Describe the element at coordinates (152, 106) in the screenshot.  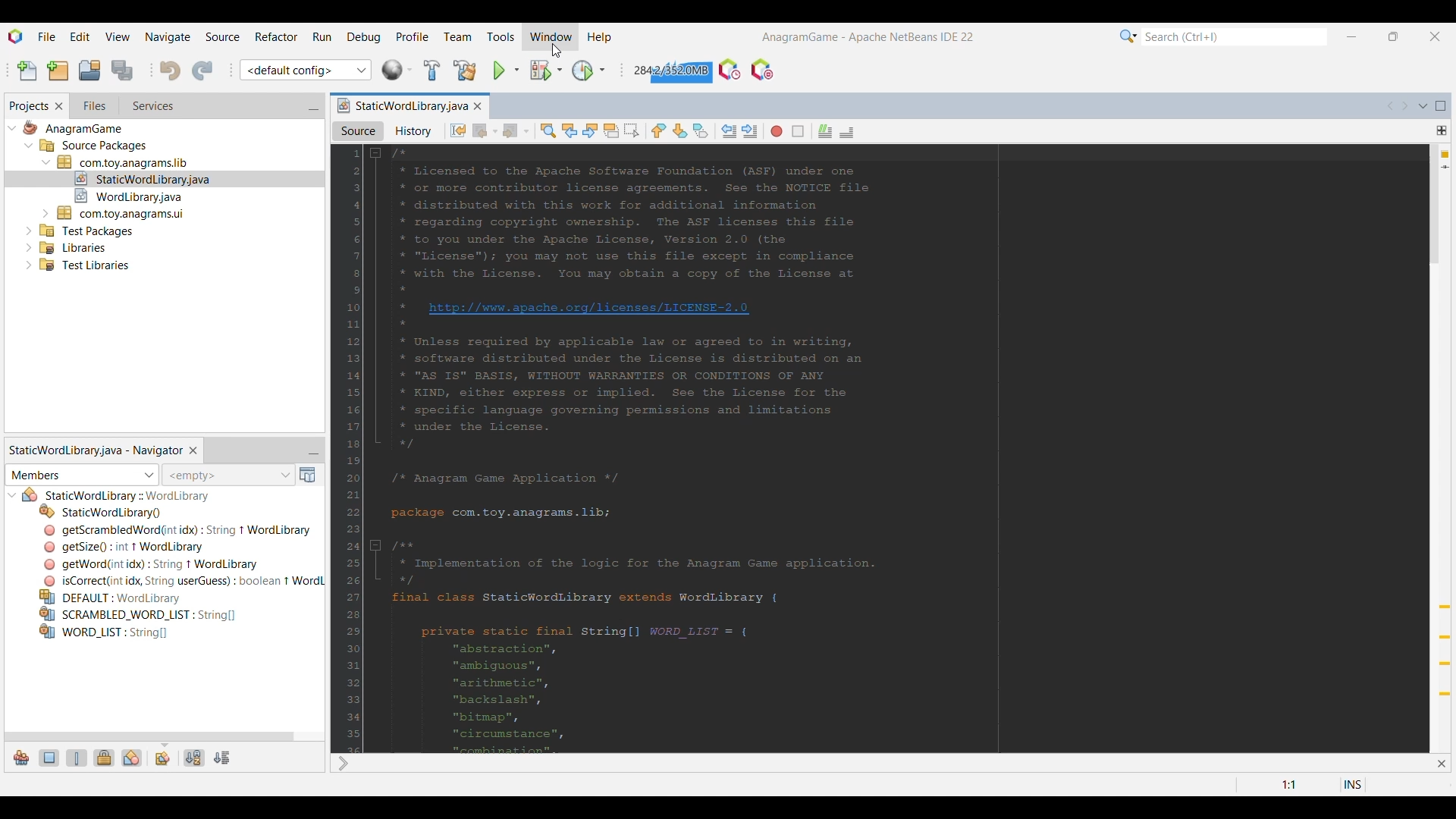
I see `Go to services` at that location.